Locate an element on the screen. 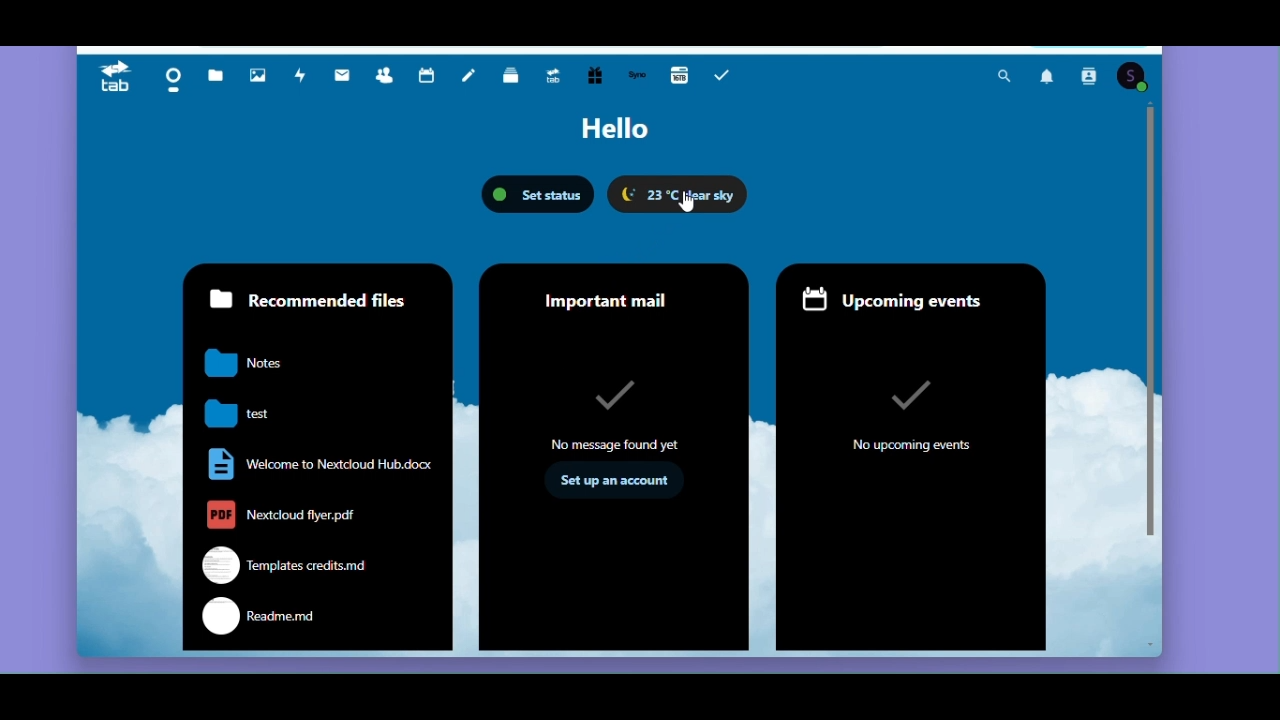 The height and width of the screenshot is (720, 1280). Activity is located at coordinates (302, 80).